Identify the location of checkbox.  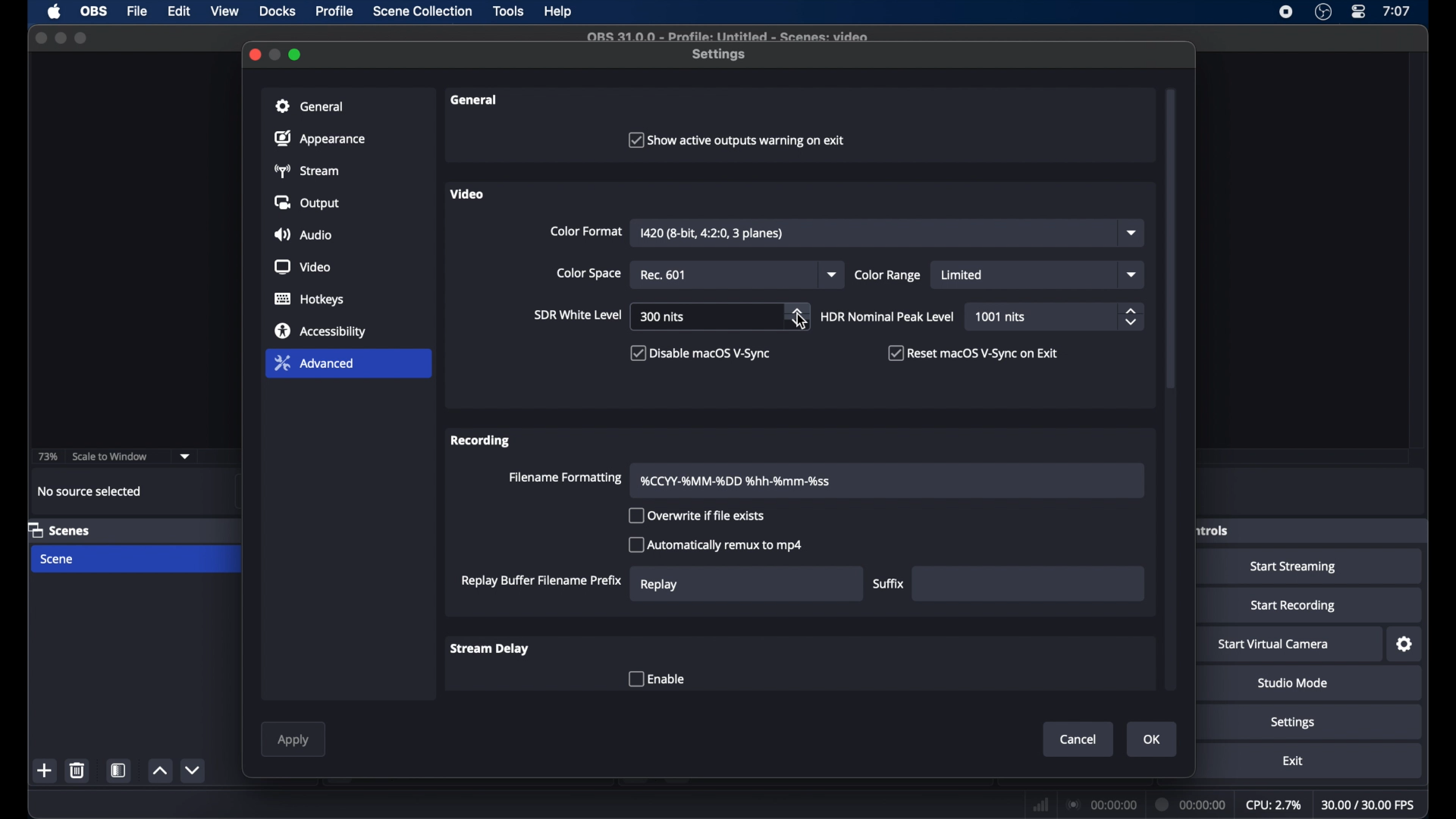
(736, 139).